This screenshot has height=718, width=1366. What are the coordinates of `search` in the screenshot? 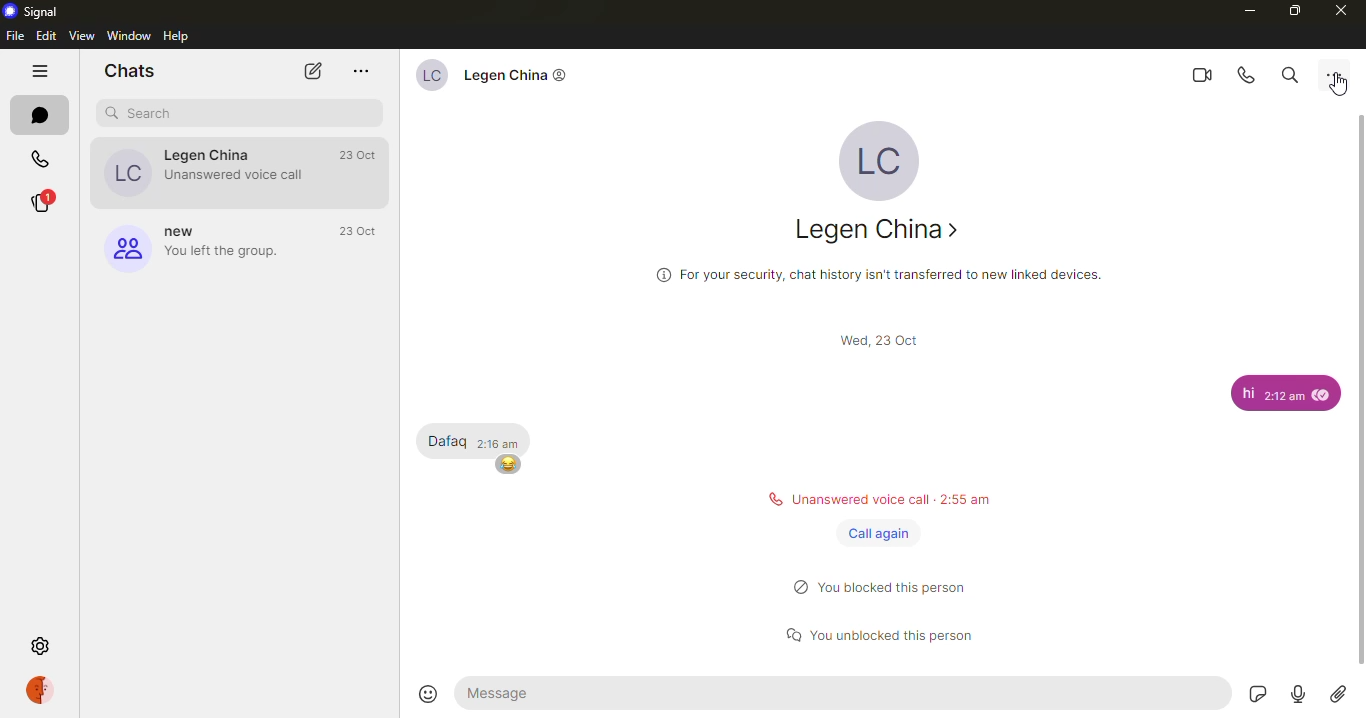 It's located at (151, 112).